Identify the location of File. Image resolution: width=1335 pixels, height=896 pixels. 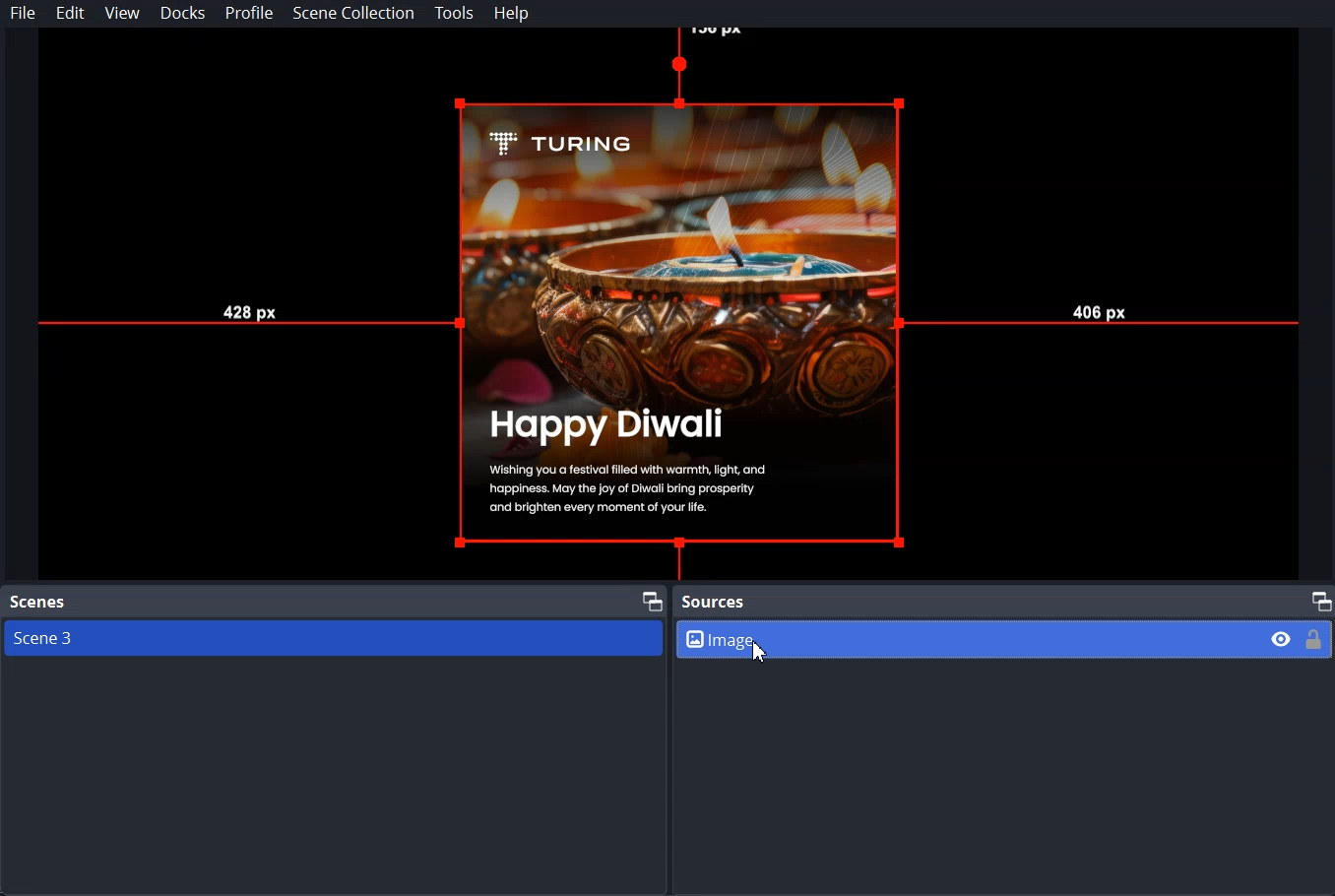
(24, 13).